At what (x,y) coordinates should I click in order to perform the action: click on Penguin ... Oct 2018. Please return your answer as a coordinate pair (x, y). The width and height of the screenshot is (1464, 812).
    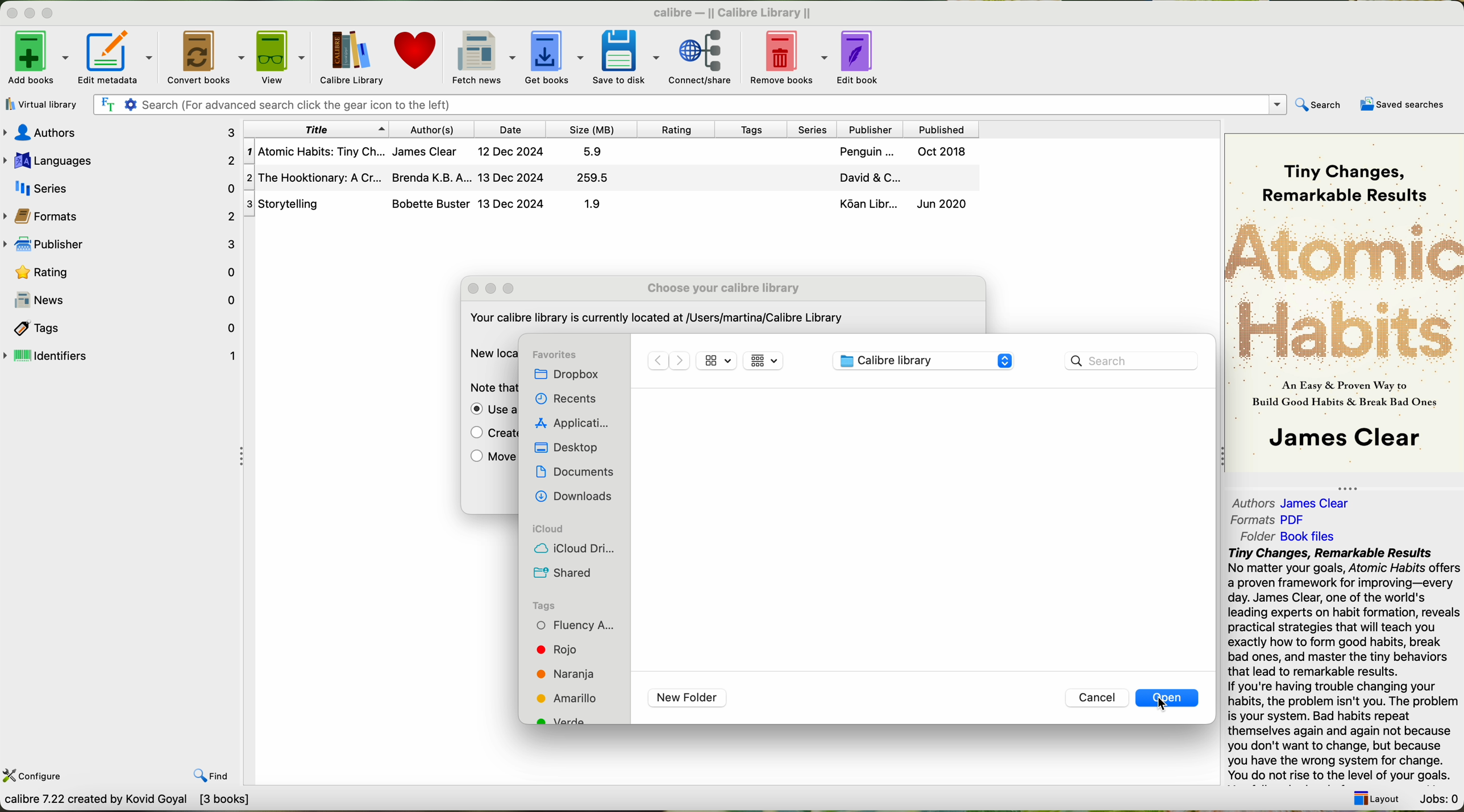
    Looking at the image, I should click on (902, 153).